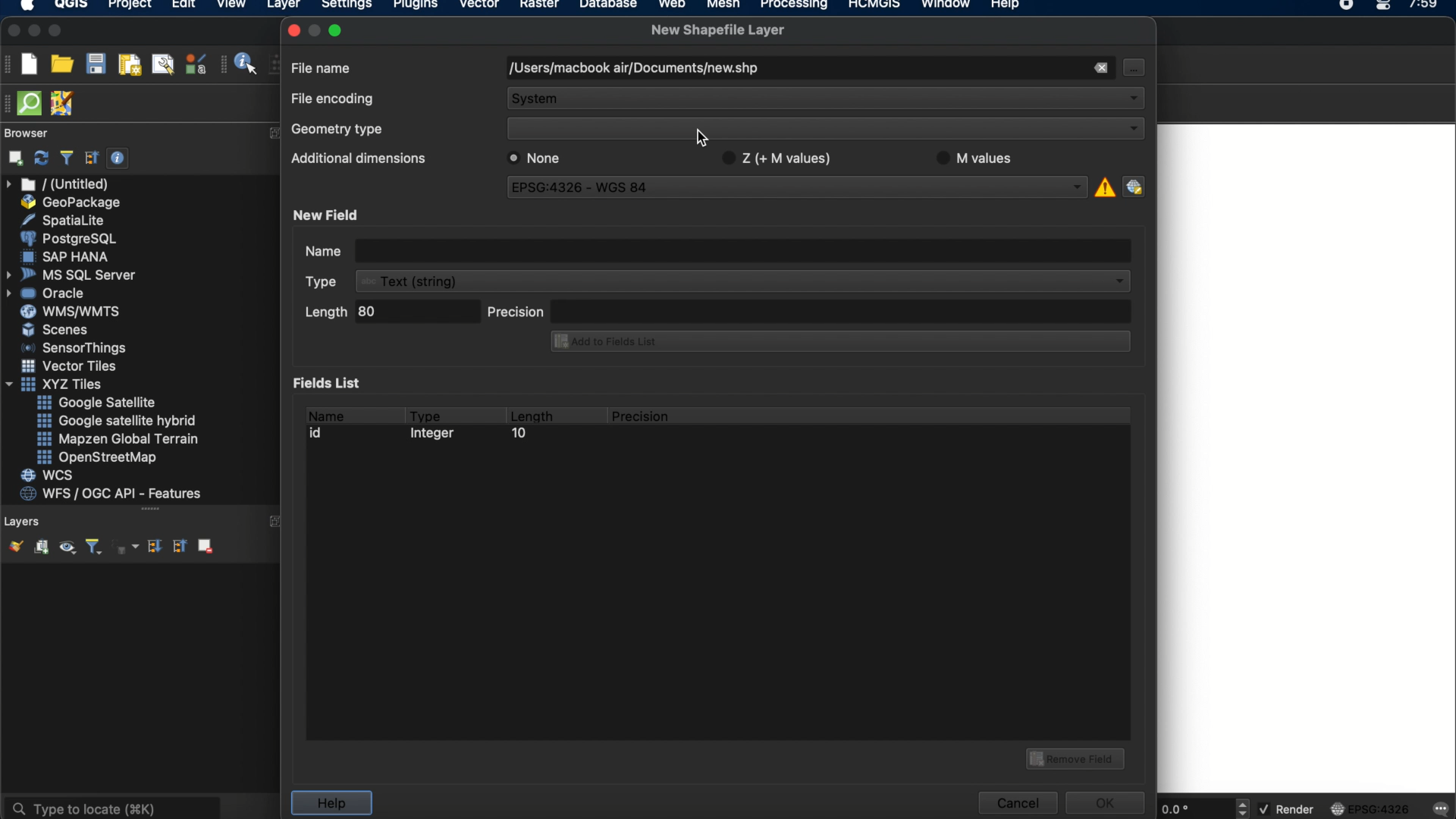 The height and width of the screenshot is (819, 1456). What do you see at coordinates (278, 521) in the screenshot?
I see `expand` at bounding box center [278, 521].